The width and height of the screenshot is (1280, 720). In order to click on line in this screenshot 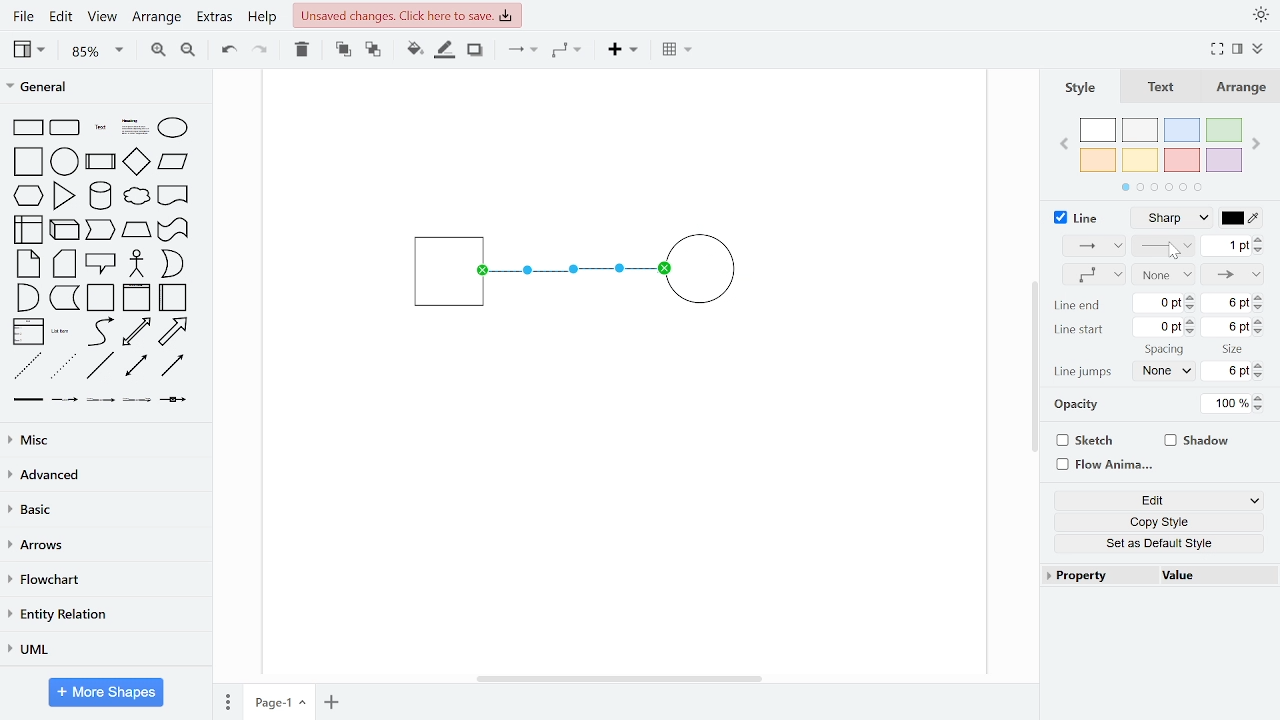, I will do `click(1077, 218)`.